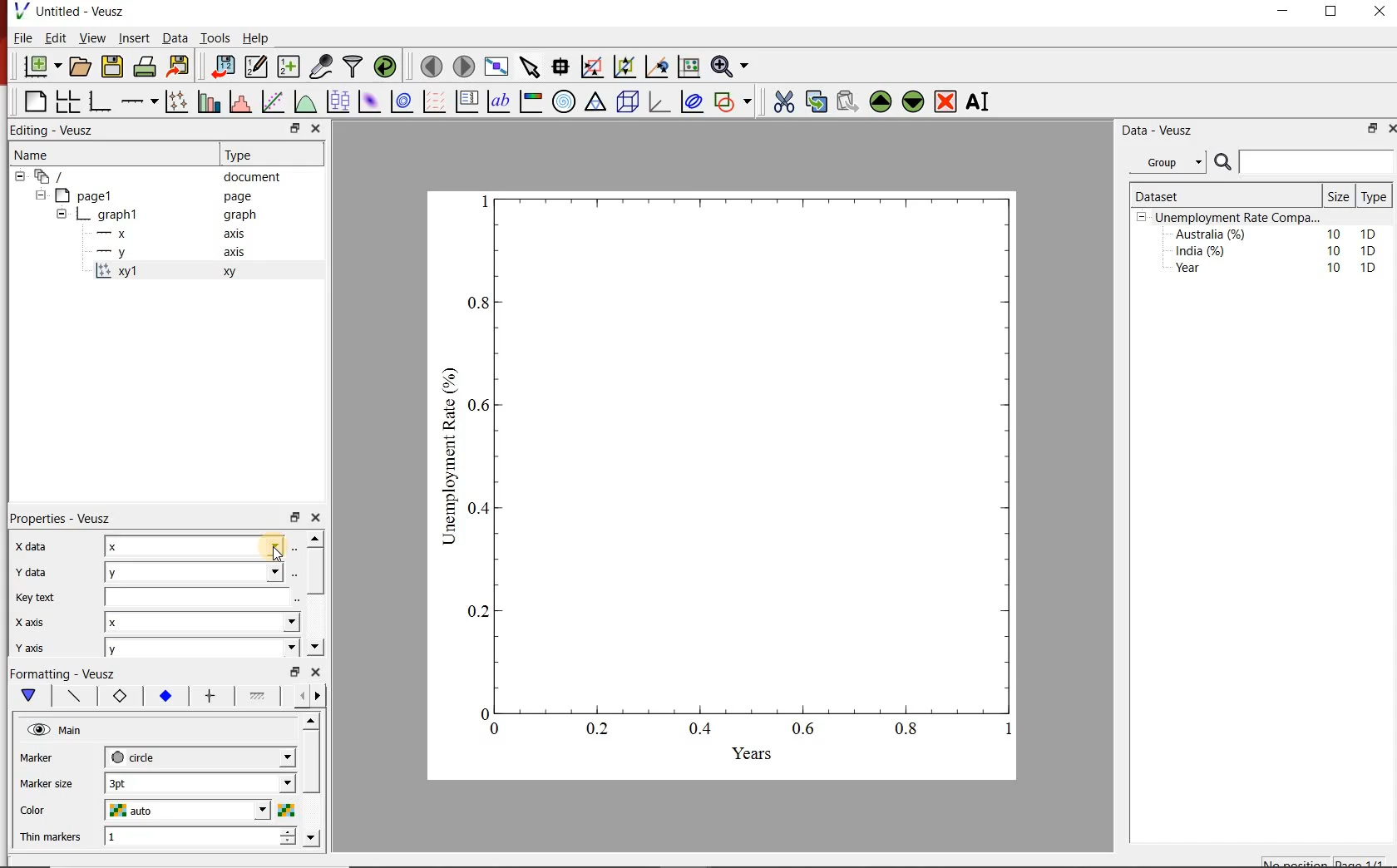 Image resolution: width=1397 pixels, height=868 pixels. What do you see at coordinates (32, 696) in the screenshot?
I see `main` at bounding box center [32, 696].